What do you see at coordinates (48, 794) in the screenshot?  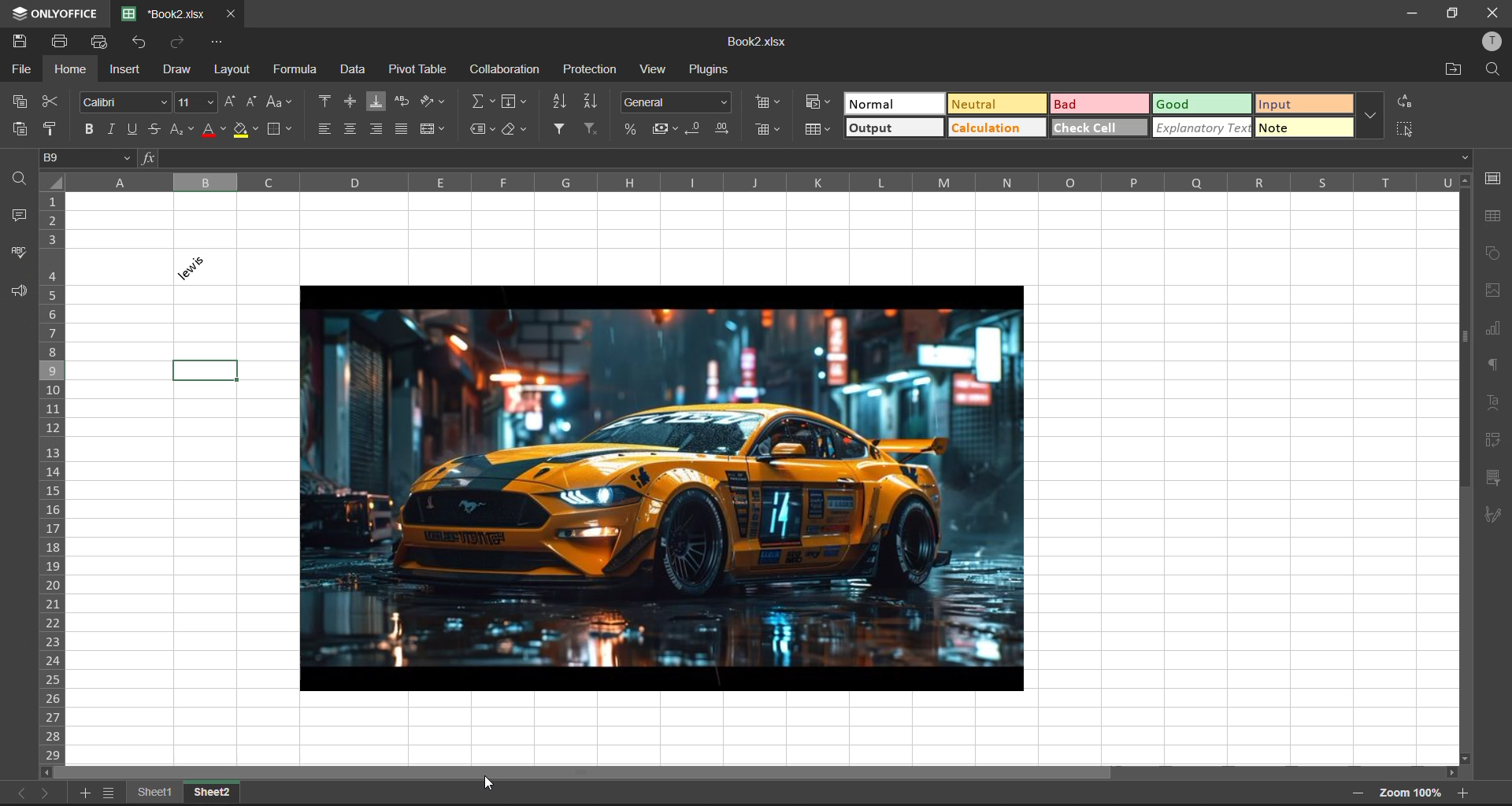 I see `next` at bounding box center [48, 794].